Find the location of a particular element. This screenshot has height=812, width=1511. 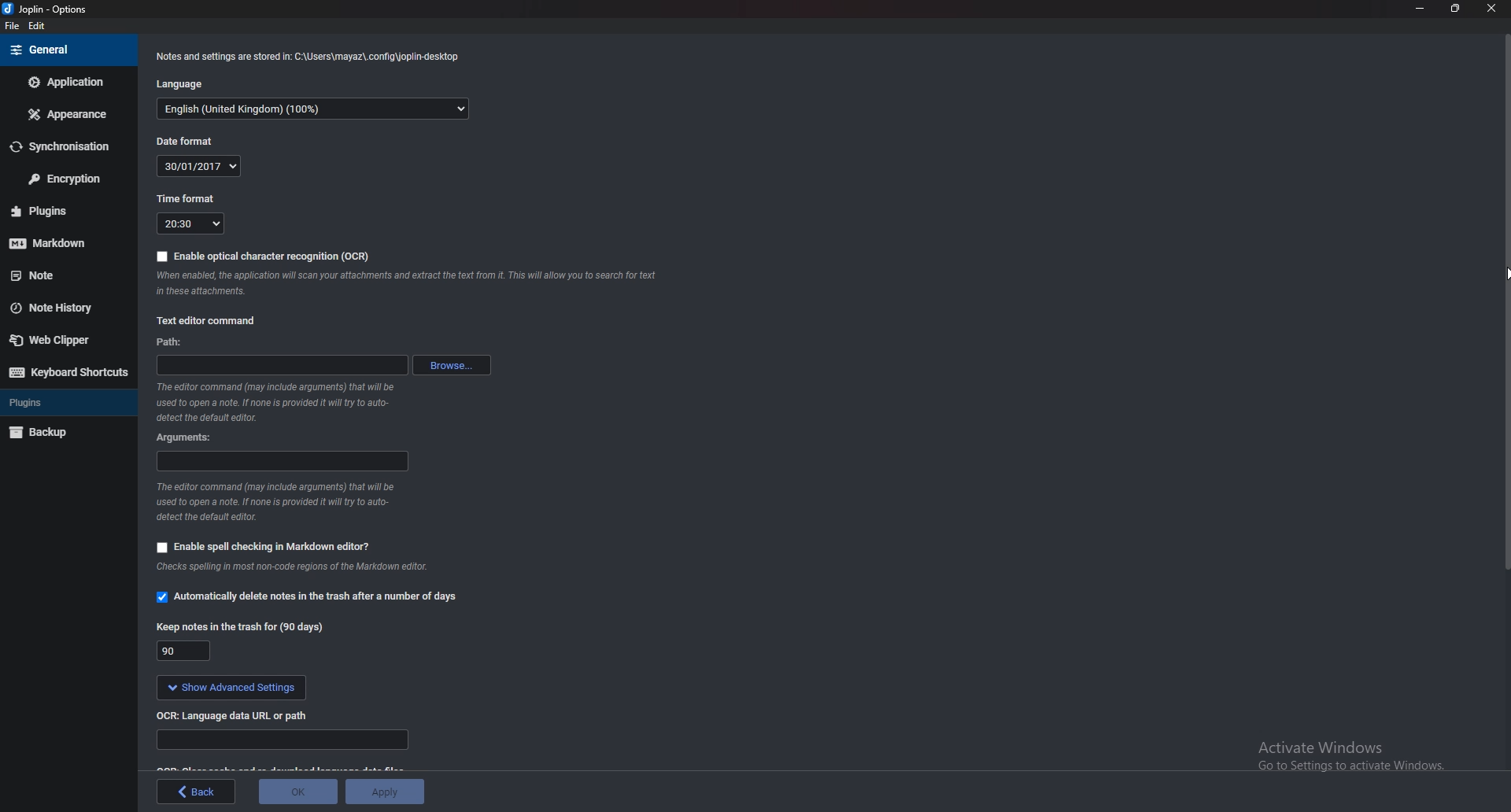

Keyboard shortcuts is located at coordinates (68, 372).